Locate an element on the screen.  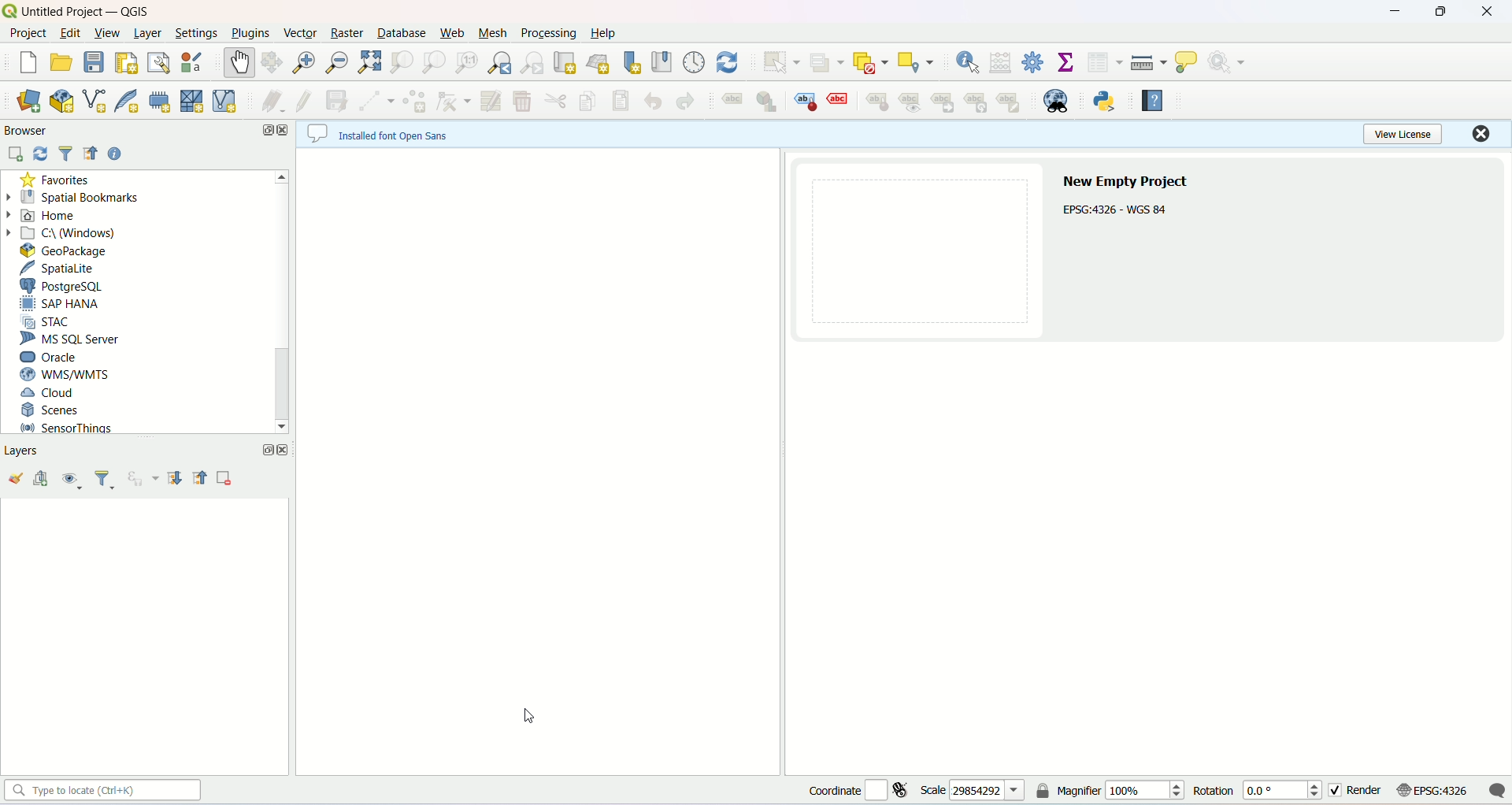
WMS/WMTS is located at coordinates (66, 375).